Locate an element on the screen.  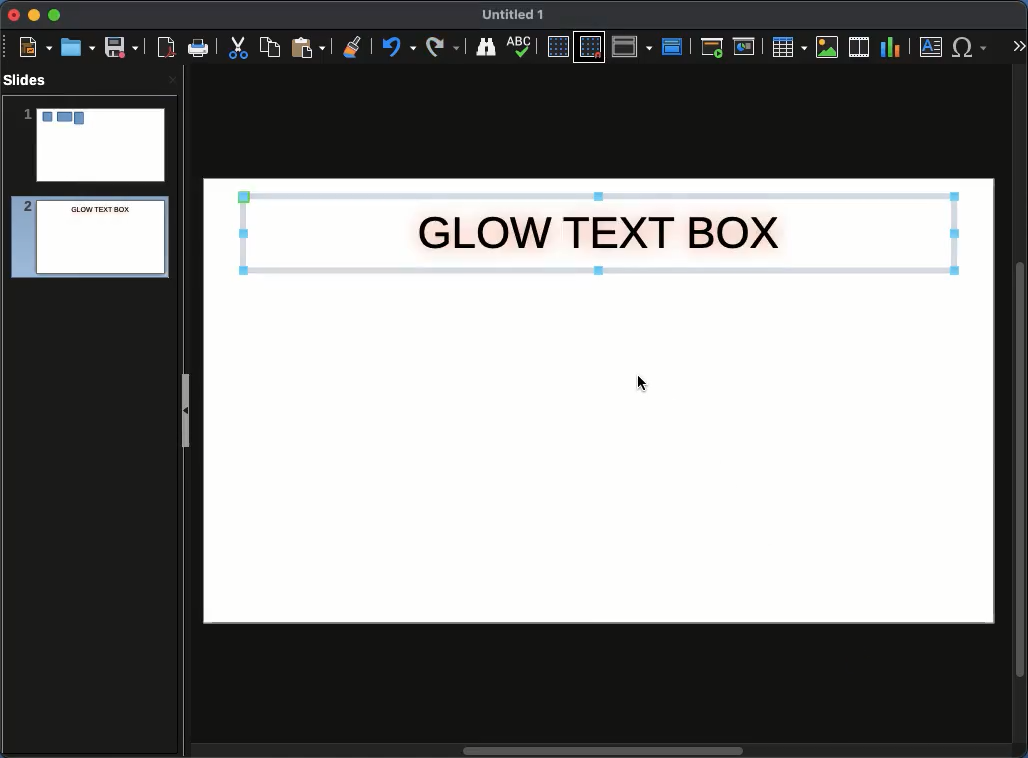
Export as PDF is located at coordinates (166, 48).